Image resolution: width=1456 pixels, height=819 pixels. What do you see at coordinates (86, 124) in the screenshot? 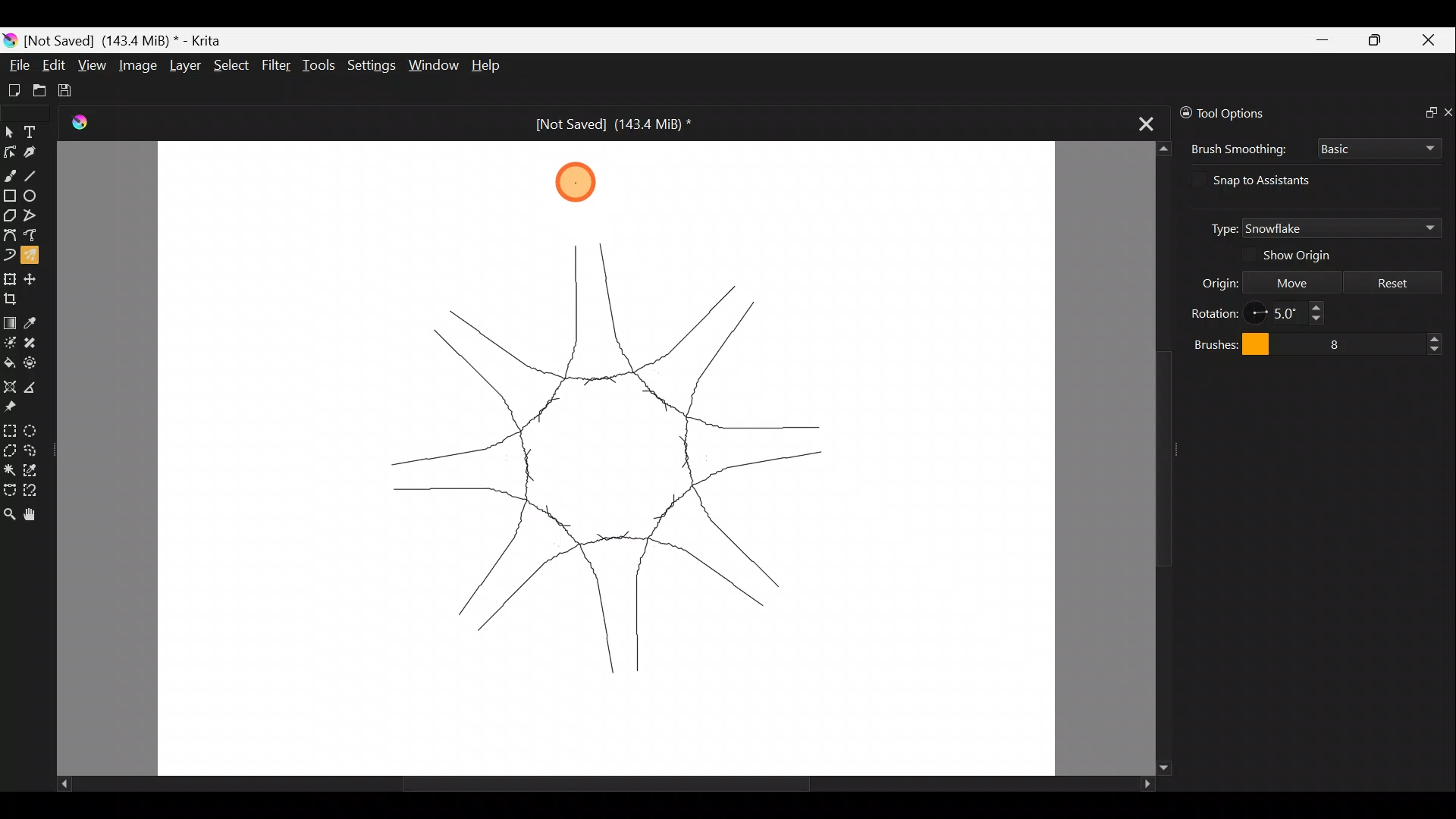
I see `Logo` at bounding box center [86, 124].